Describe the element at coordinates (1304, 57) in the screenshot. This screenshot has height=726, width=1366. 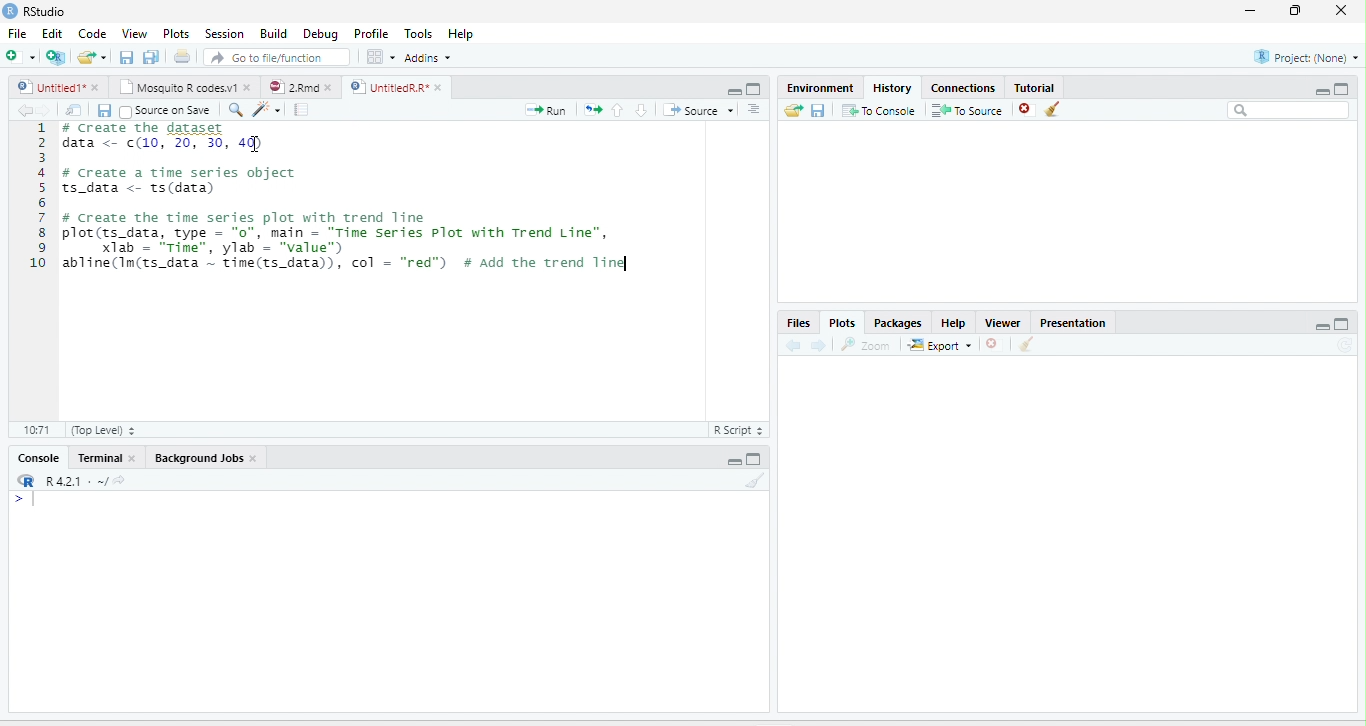
I see `Project: (None)` at that location.